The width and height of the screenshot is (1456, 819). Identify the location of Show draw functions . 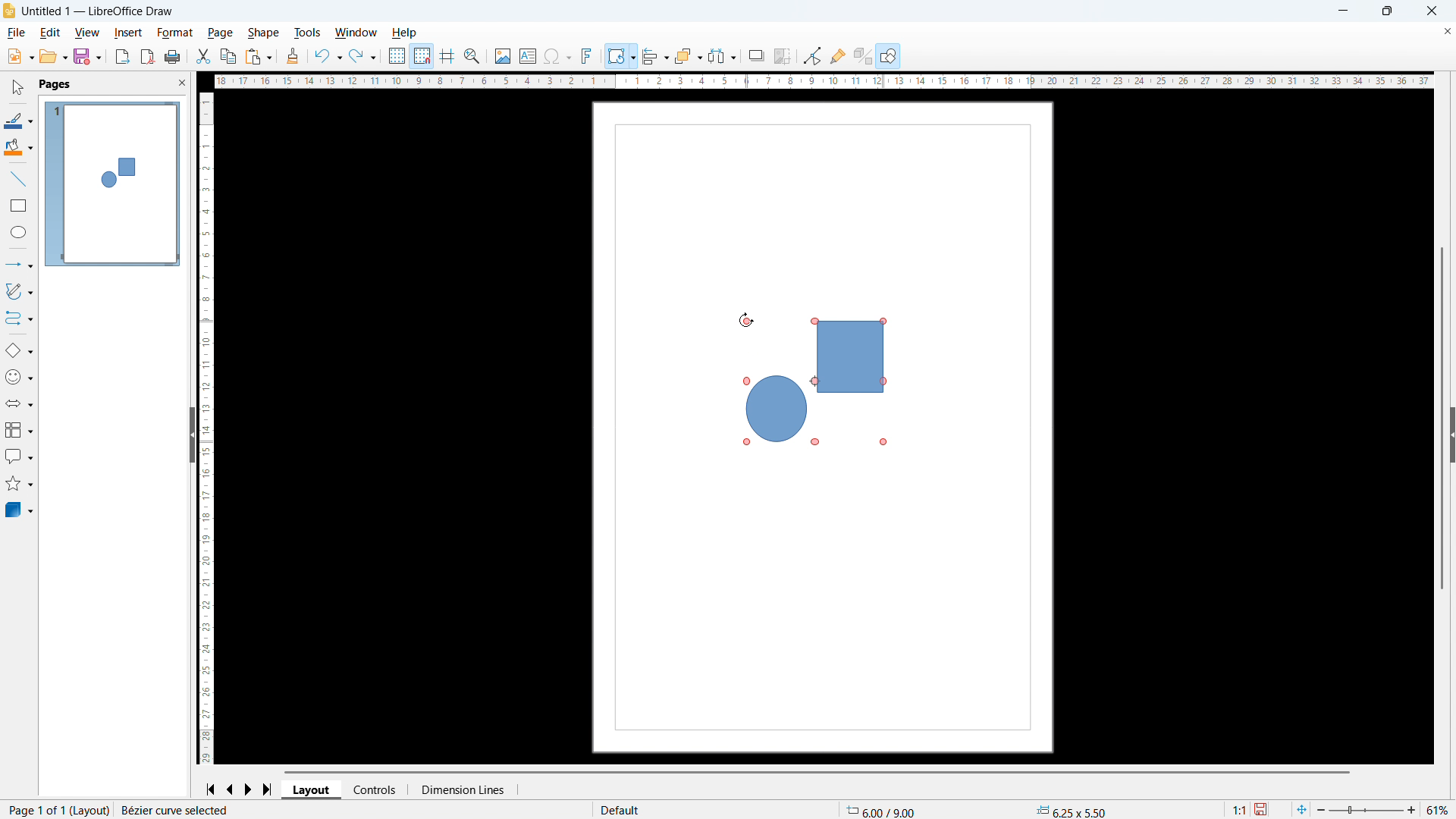
(889, 55).